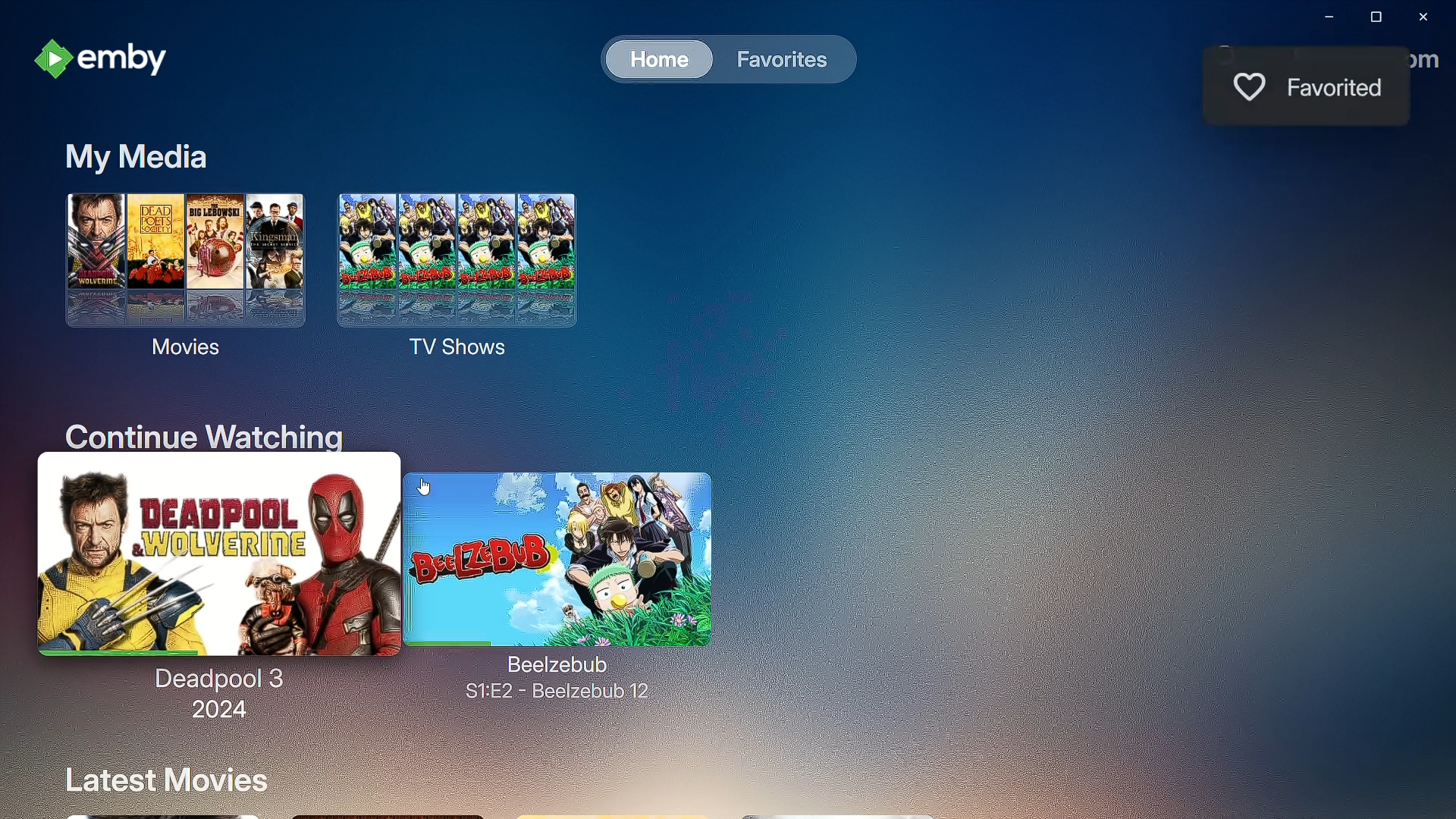 The height and width of the screenshot is (819, 1456). Describe the element at coordinates (1340, 88) in the screenshot. I see `Favorited` at that location.